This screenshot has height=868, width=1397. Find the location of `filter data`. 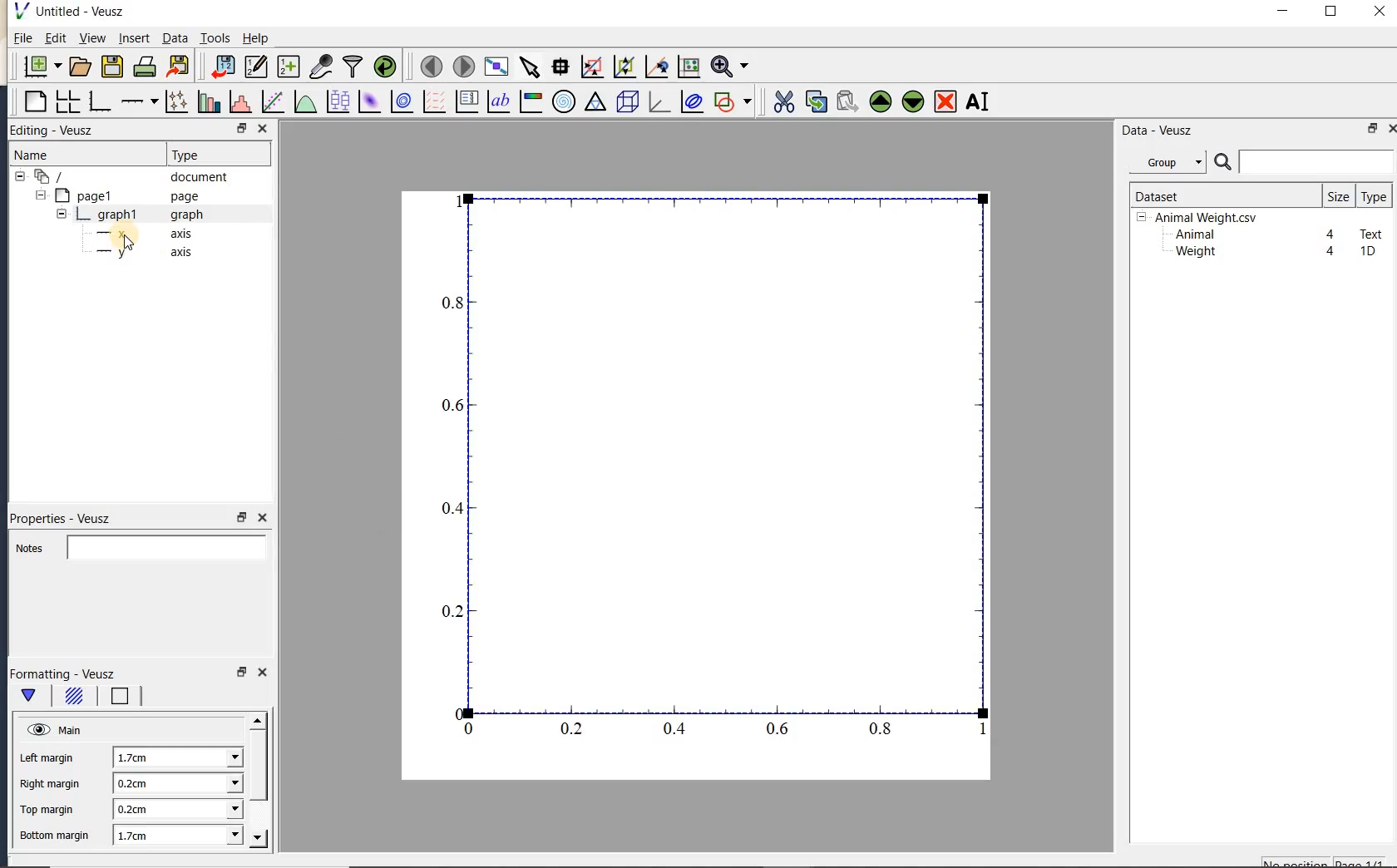

filter data is located at coordinates (353, 65).